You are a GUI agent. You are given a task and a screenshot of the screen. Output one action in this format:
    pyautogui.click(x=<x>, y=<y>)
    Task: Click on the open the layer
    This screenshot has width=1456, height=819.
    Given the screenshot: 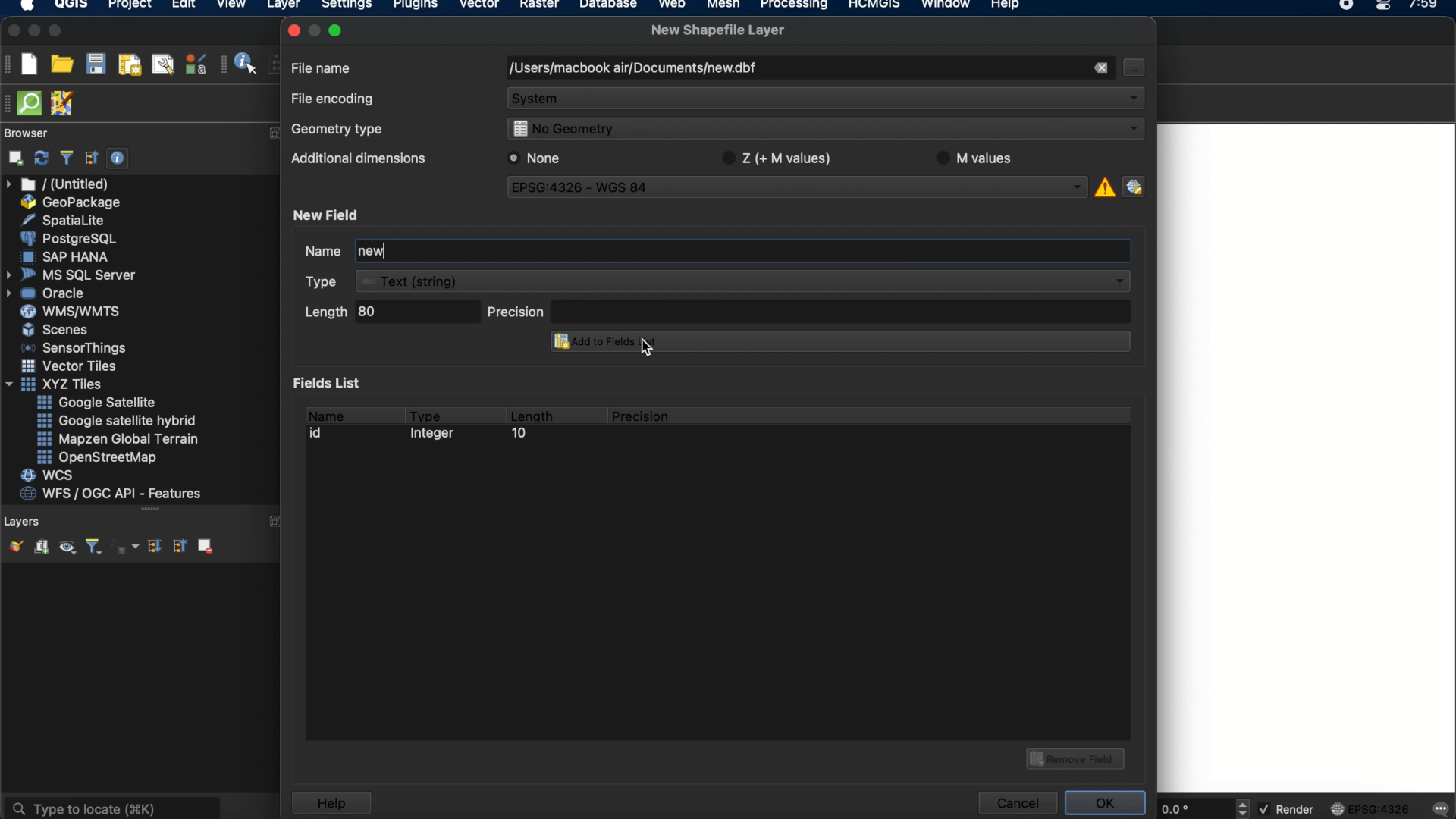 What is the action you would take?
    pyautogui.click(x=12, y=546)
    